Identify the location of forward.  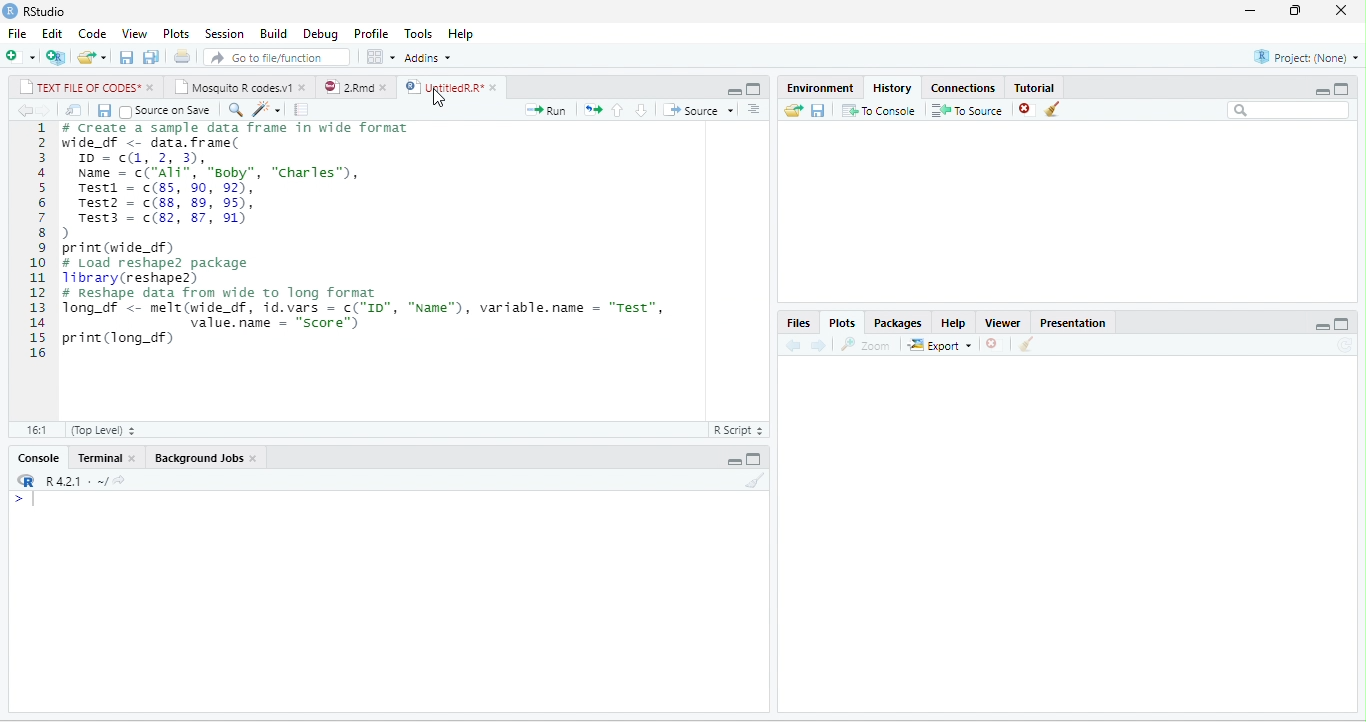
(819, 345).